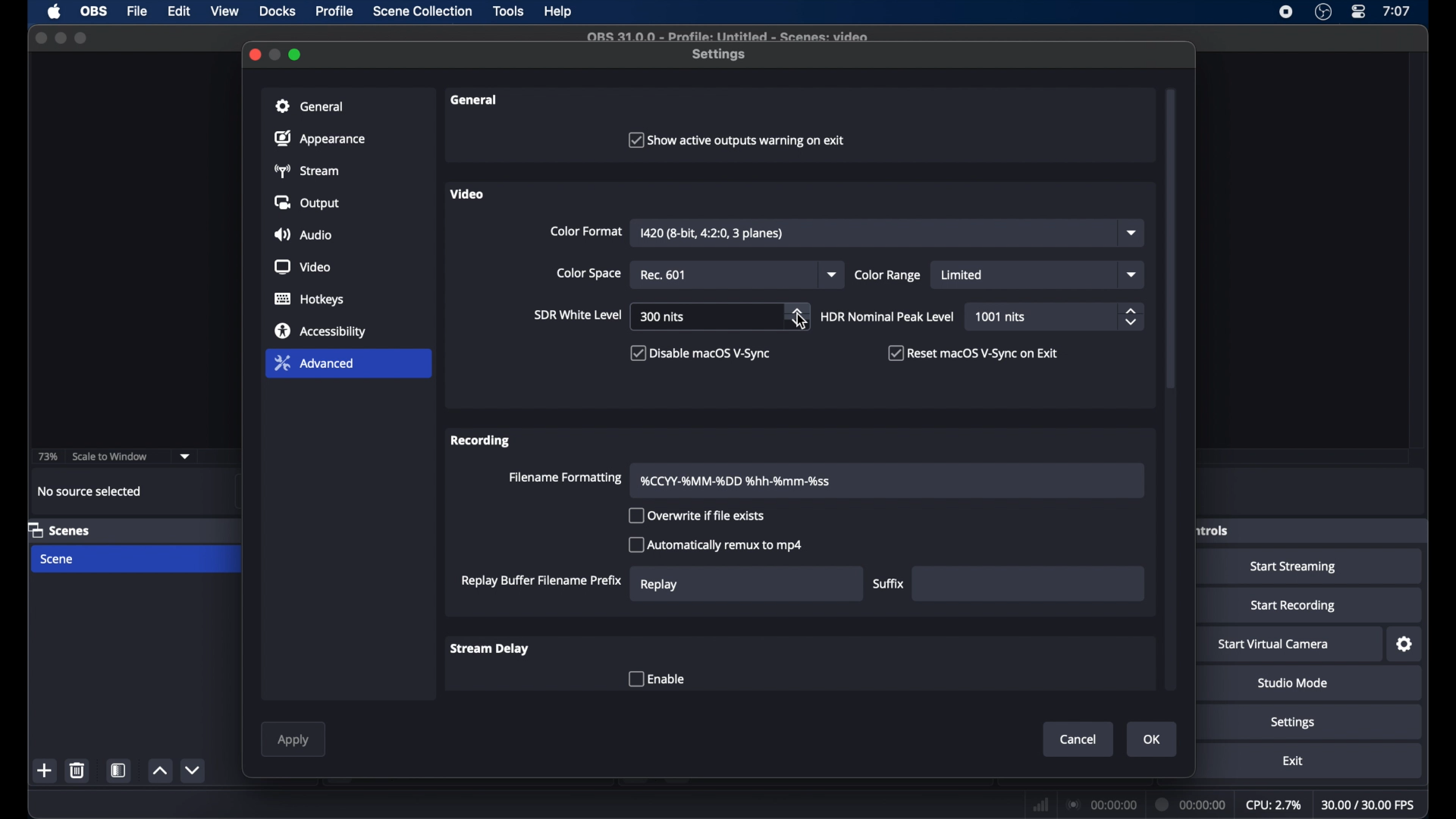 This screenshot has width=1456, height=819. Describe the element at coordinates (713, 234) in the screenshot. I see `I420 ` at that location.